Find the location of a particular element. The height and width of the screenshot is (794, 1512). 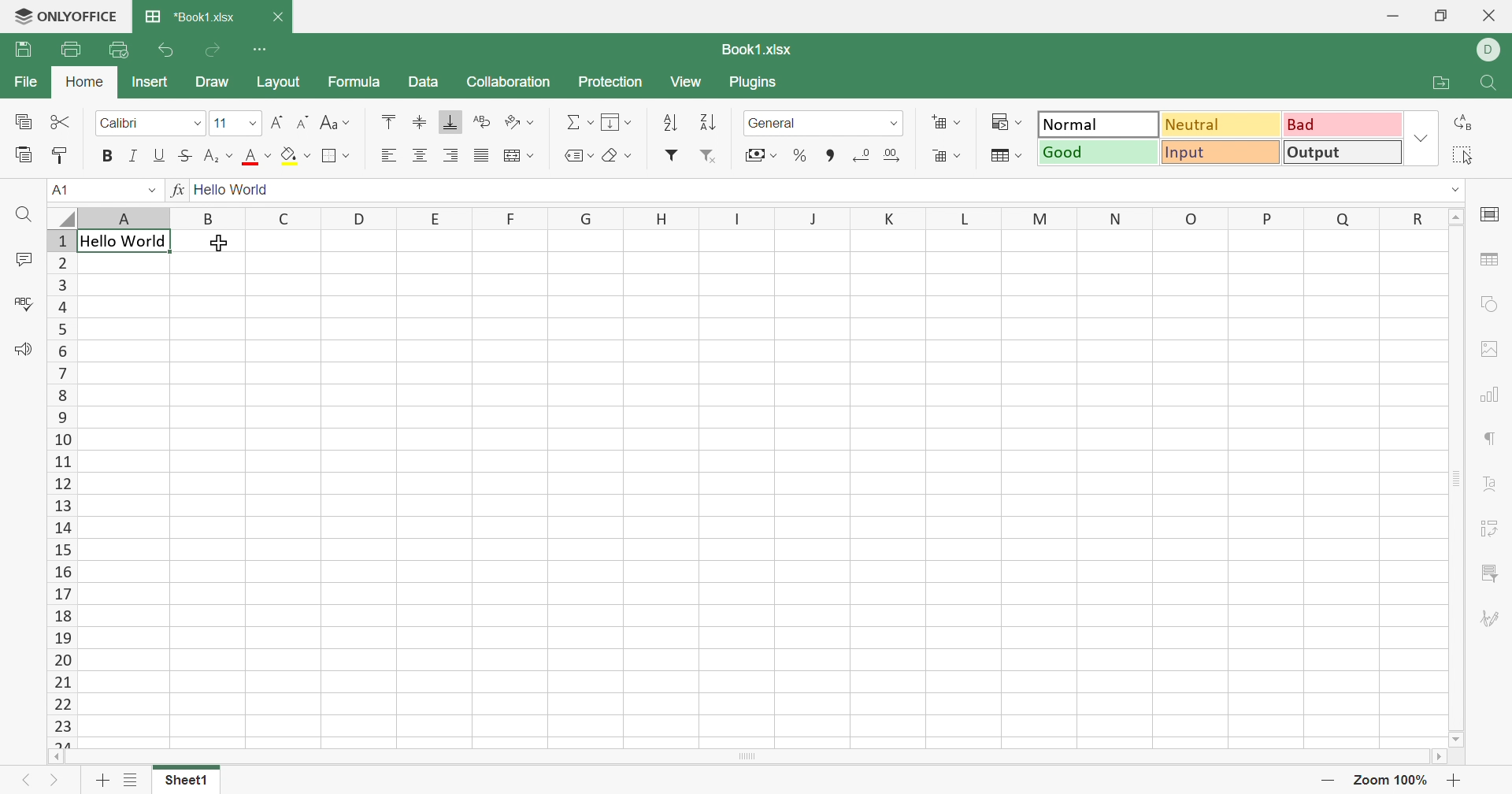

Column names is located at coordinates (761, 217).